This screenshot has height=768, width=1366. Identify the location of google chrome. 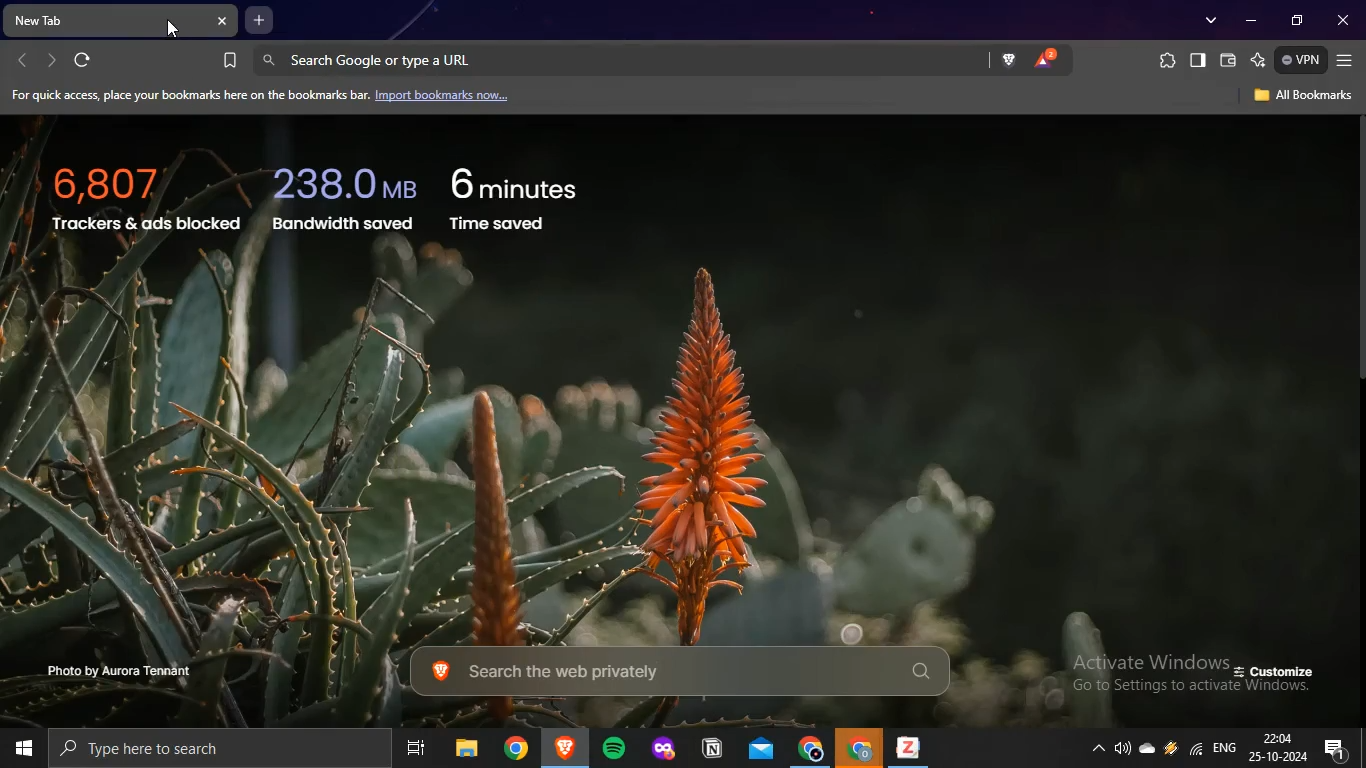
(861, 749).